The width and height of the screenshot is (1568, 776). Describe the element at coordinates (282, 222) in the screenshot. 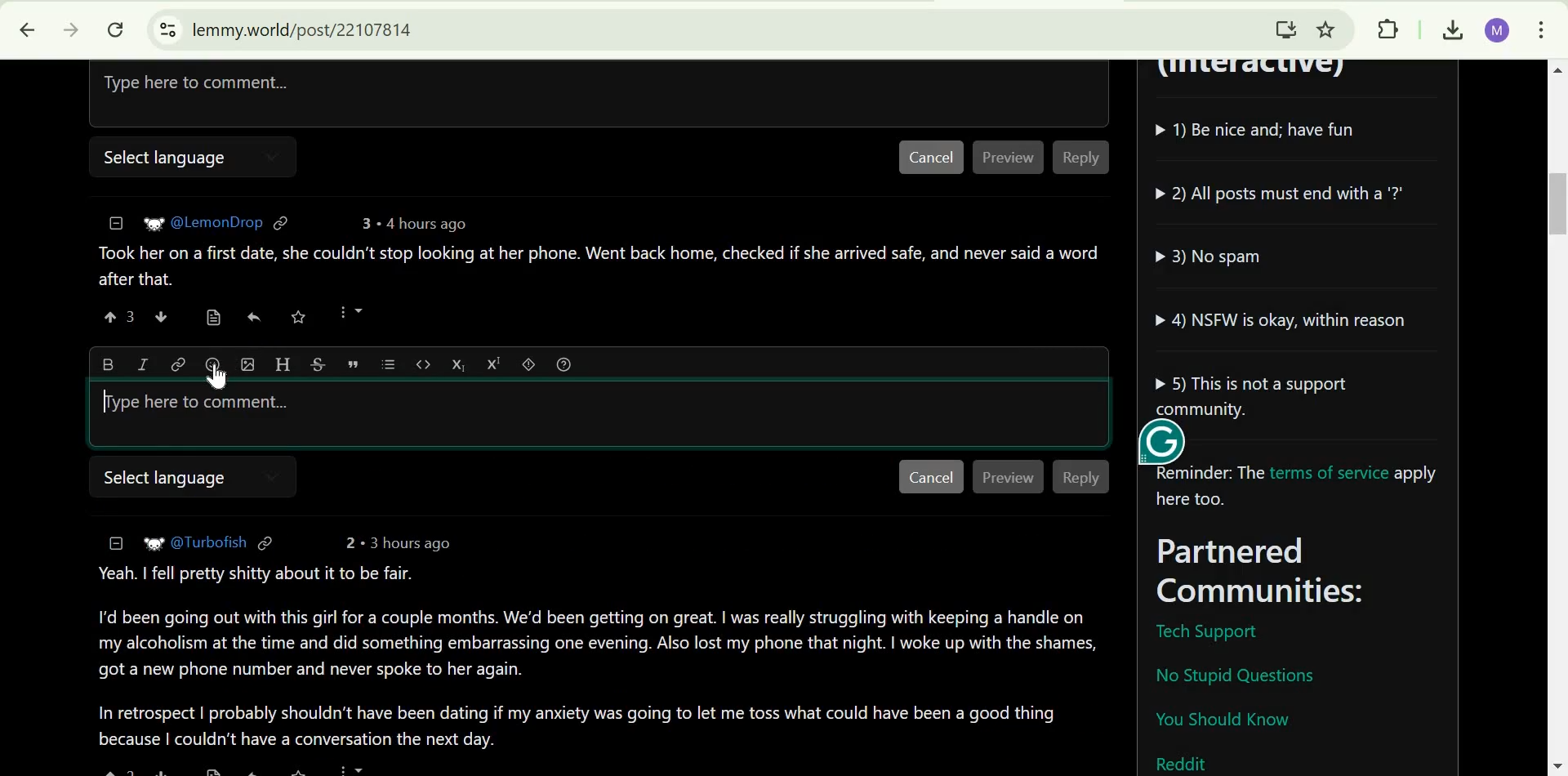

I see `link` at that location.